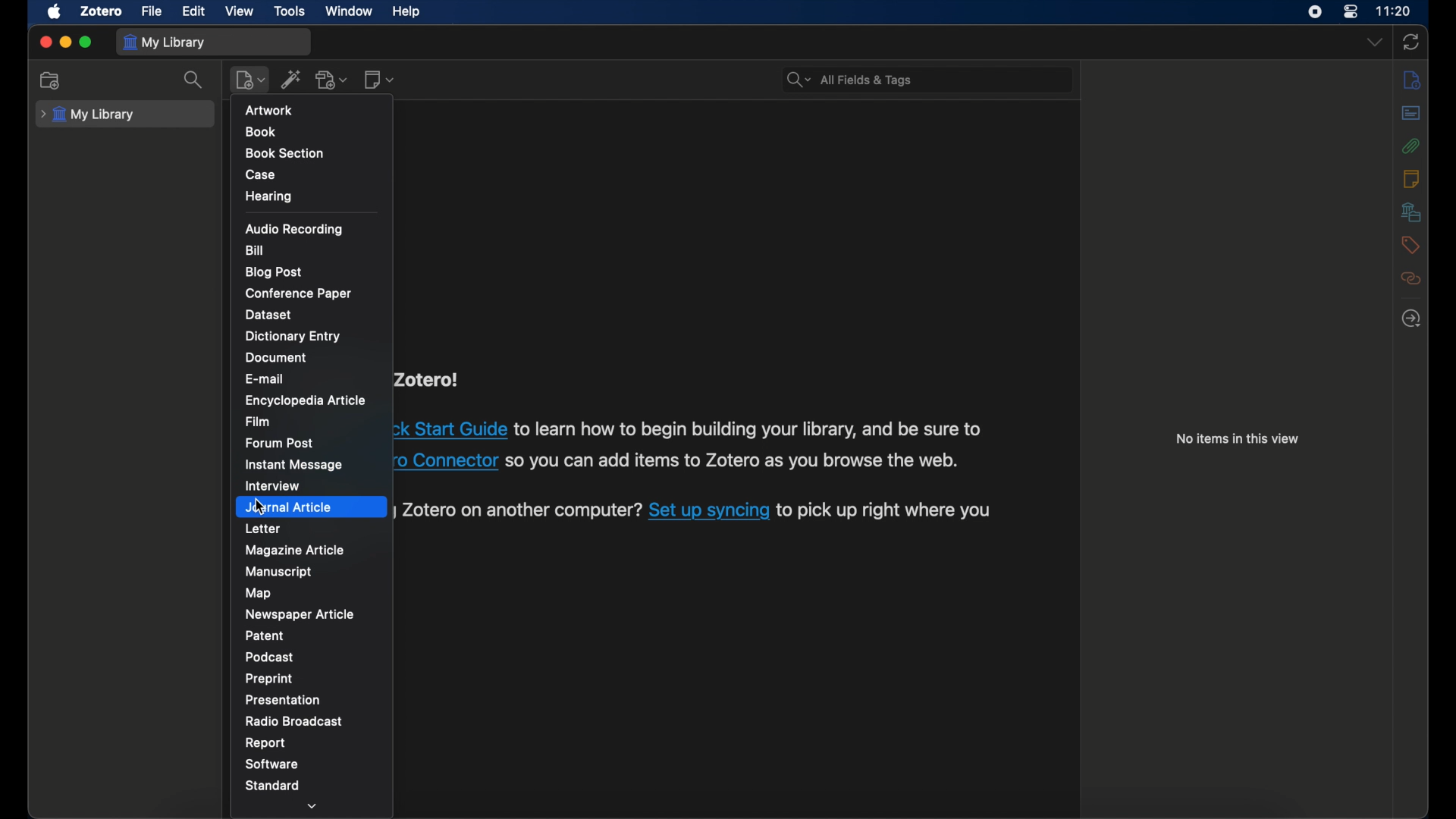 This screenshot has width=1456, height=819. I want to click on standard, so click(271, 786).